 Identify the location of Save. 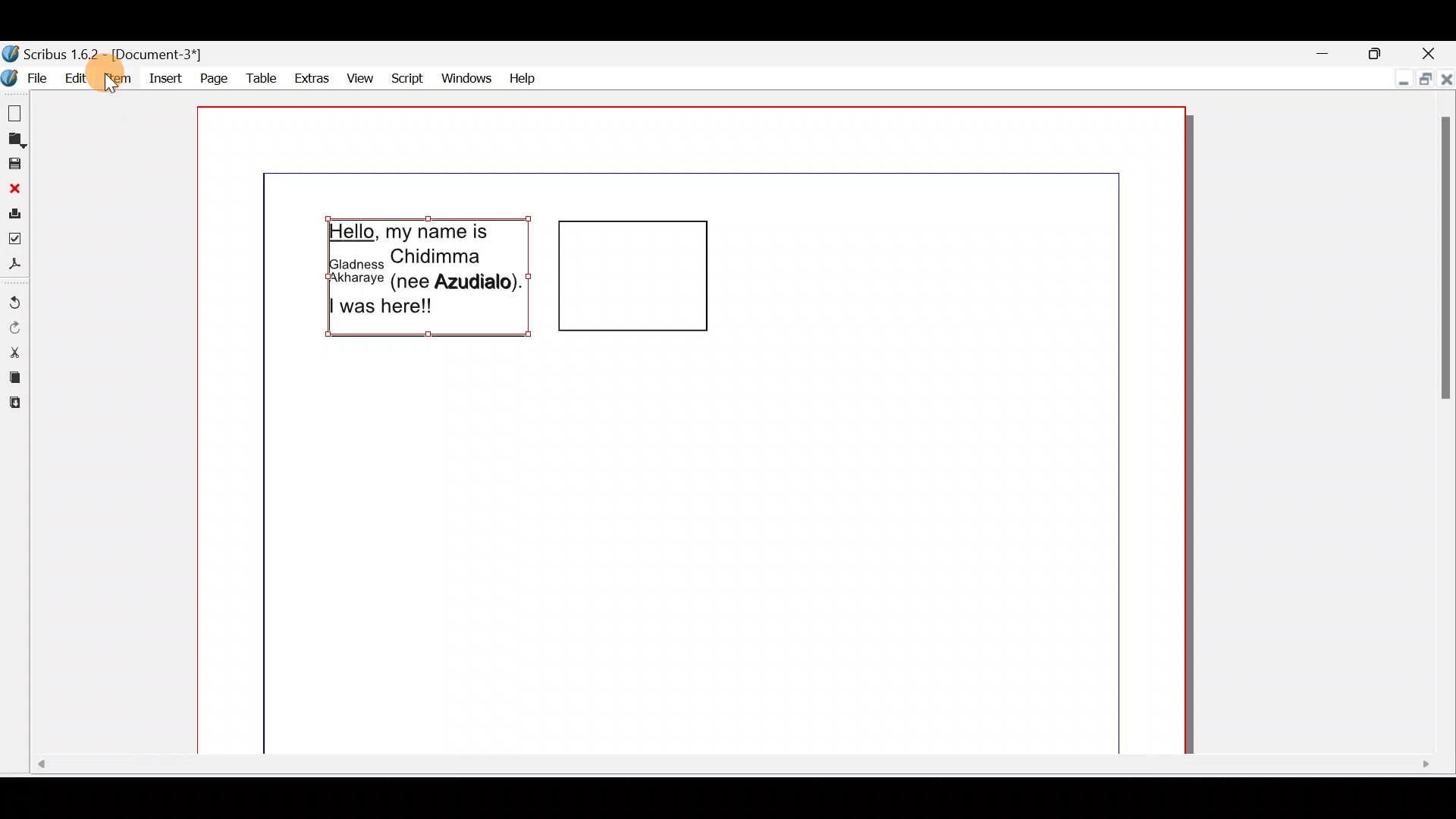
(14, 163).